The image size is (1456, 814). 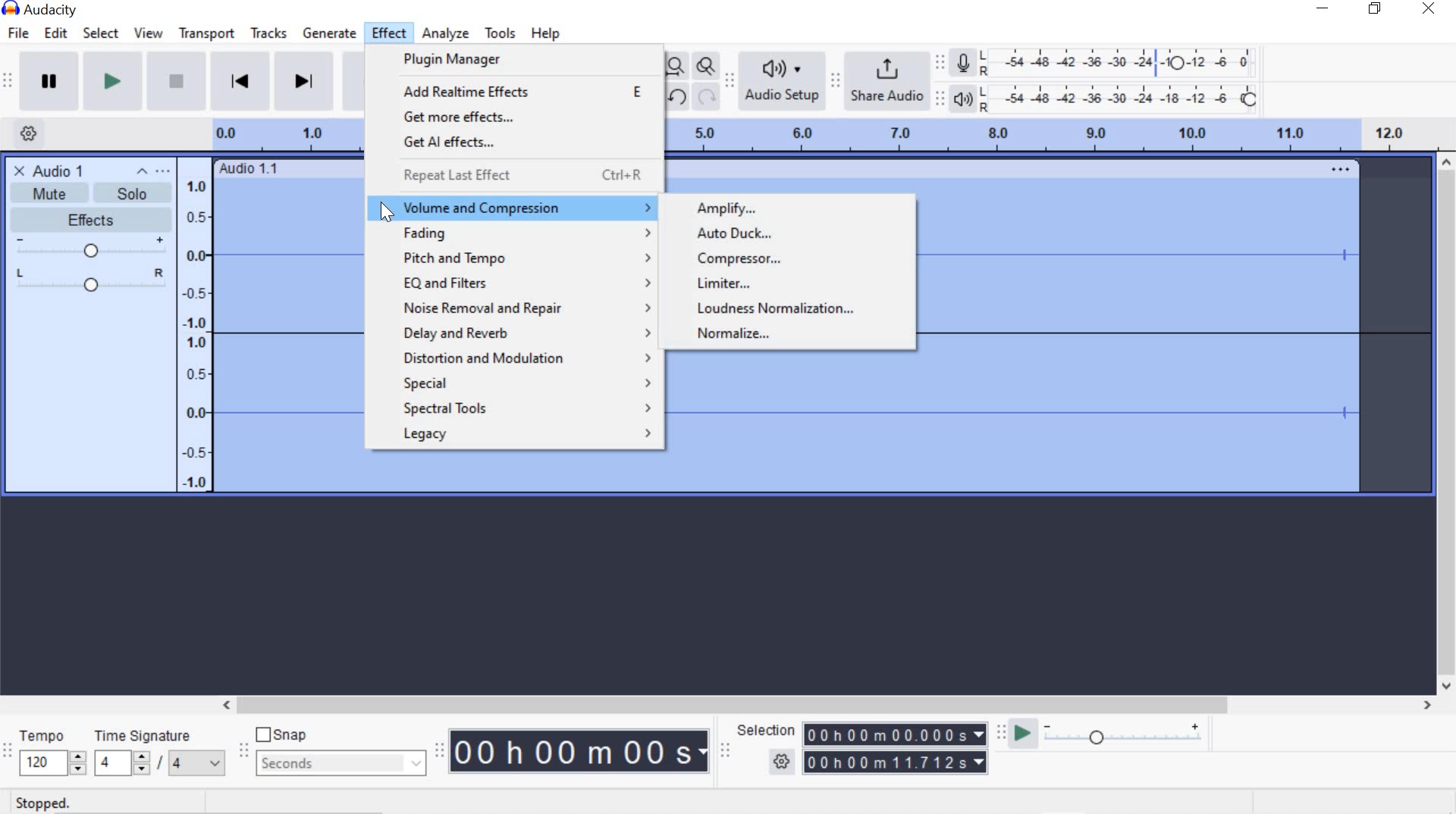 What do you see at coordinates (485, 61) in the screenshot?
I see `plugin manager` at bounding box center [485, 61].